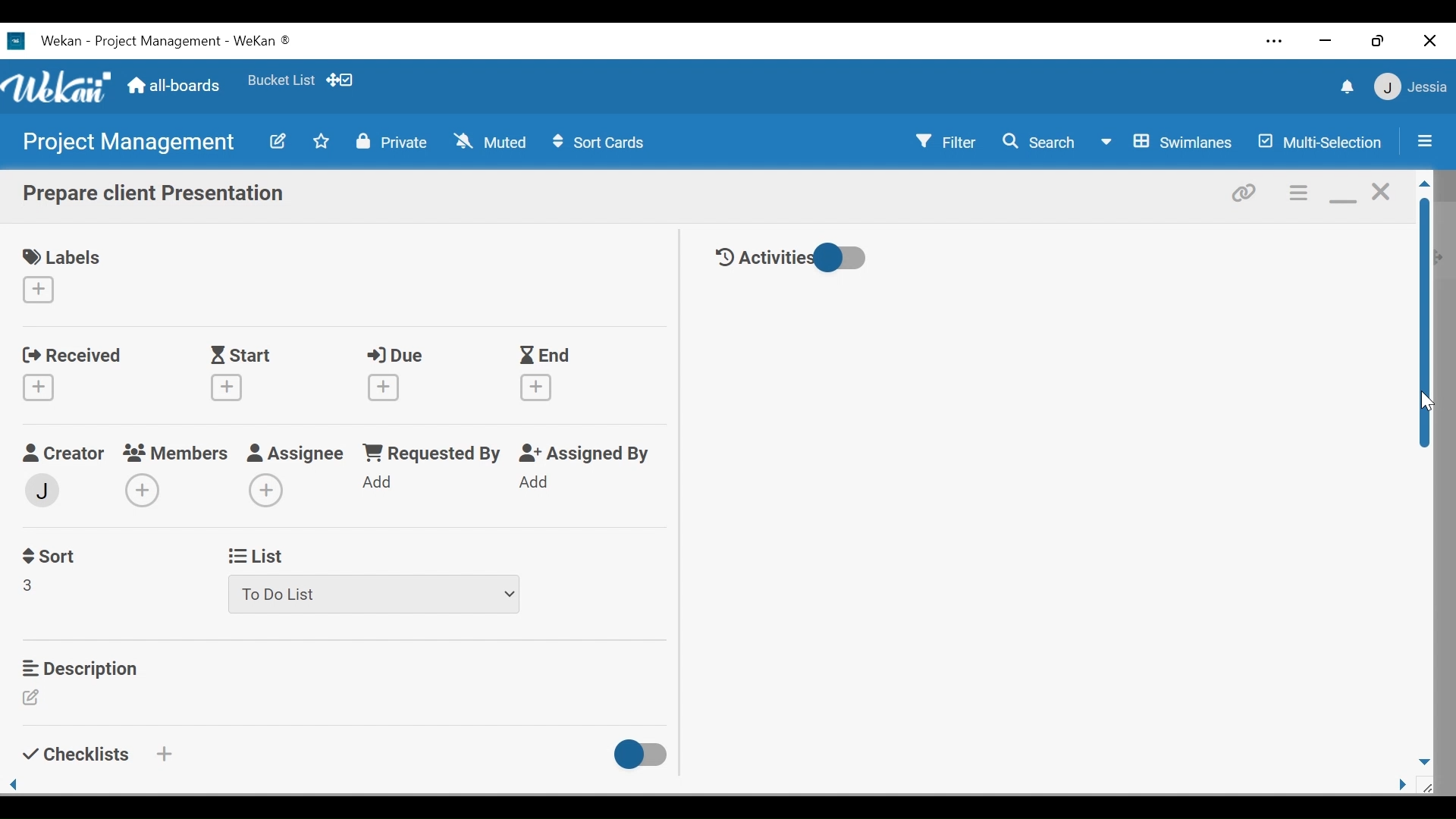 The width and height of the screenshot is (1456, 819). Describe the element at coordinates (1395, 783) in the screenshot. I see `page side` at that location.